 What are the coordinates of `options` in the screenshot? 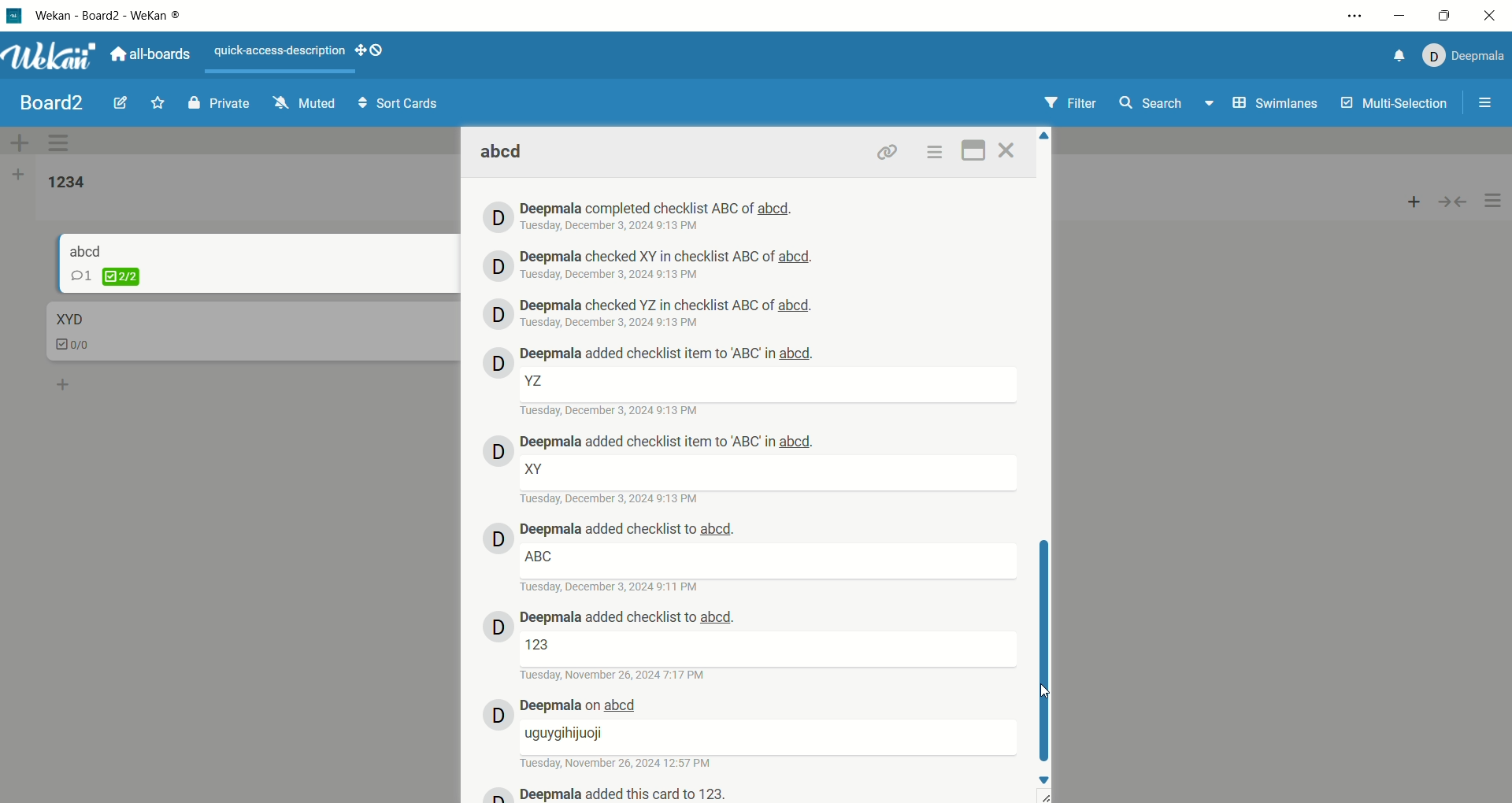 It's located at (1487, 105).